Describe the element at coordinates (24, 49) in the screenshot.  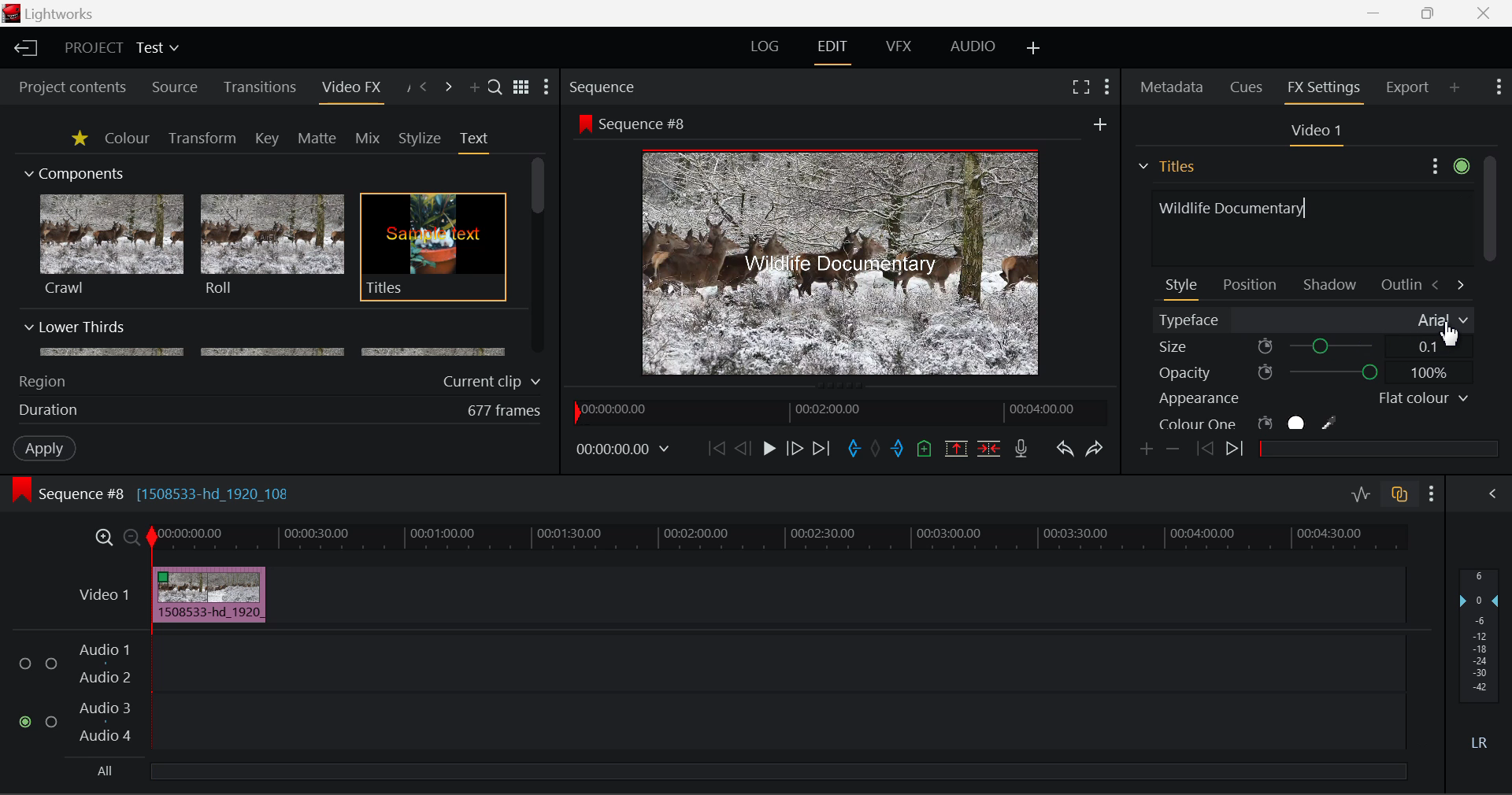
I see `Back to Homepage` at that location.